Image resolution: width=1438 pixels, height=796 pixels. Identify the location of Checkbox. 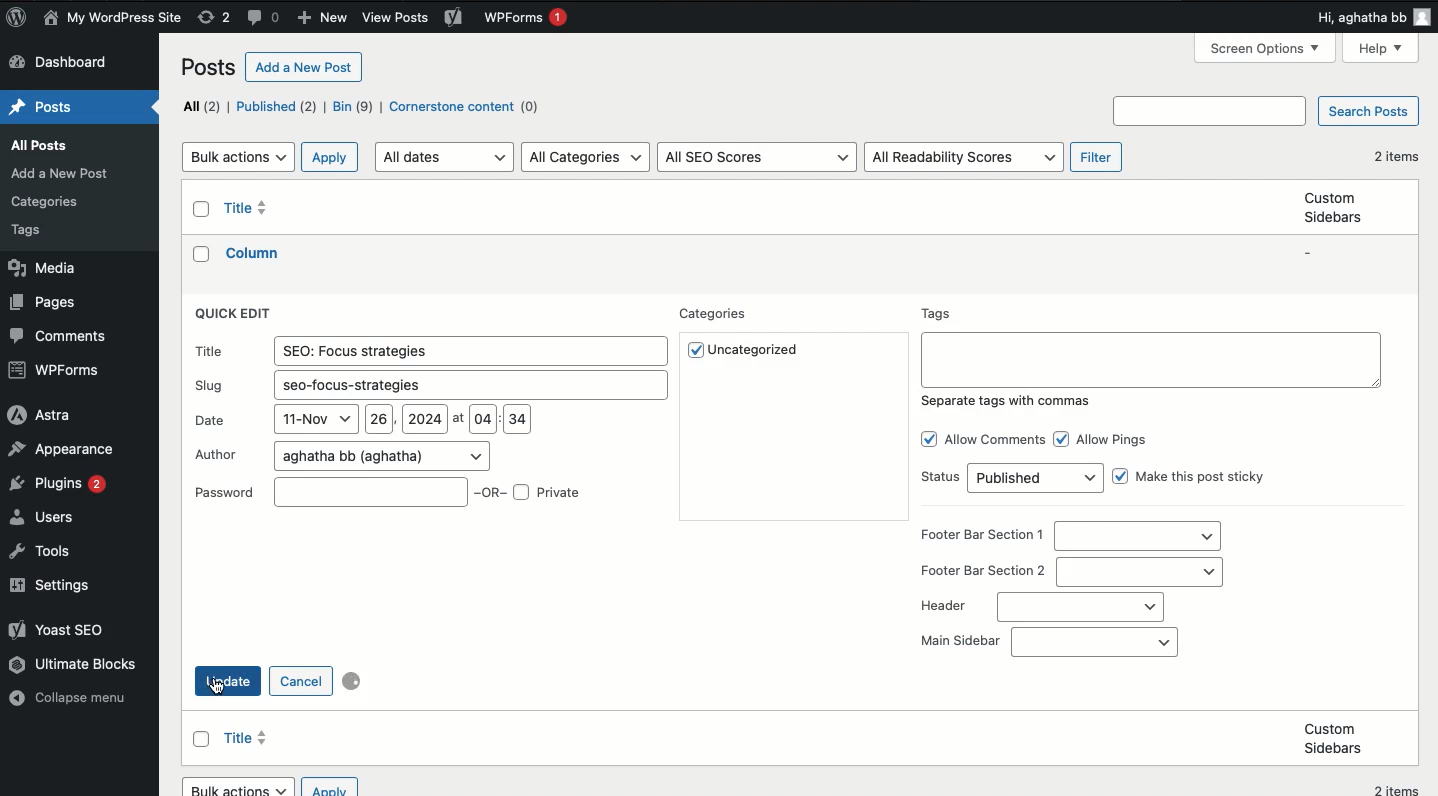
(203, 210).